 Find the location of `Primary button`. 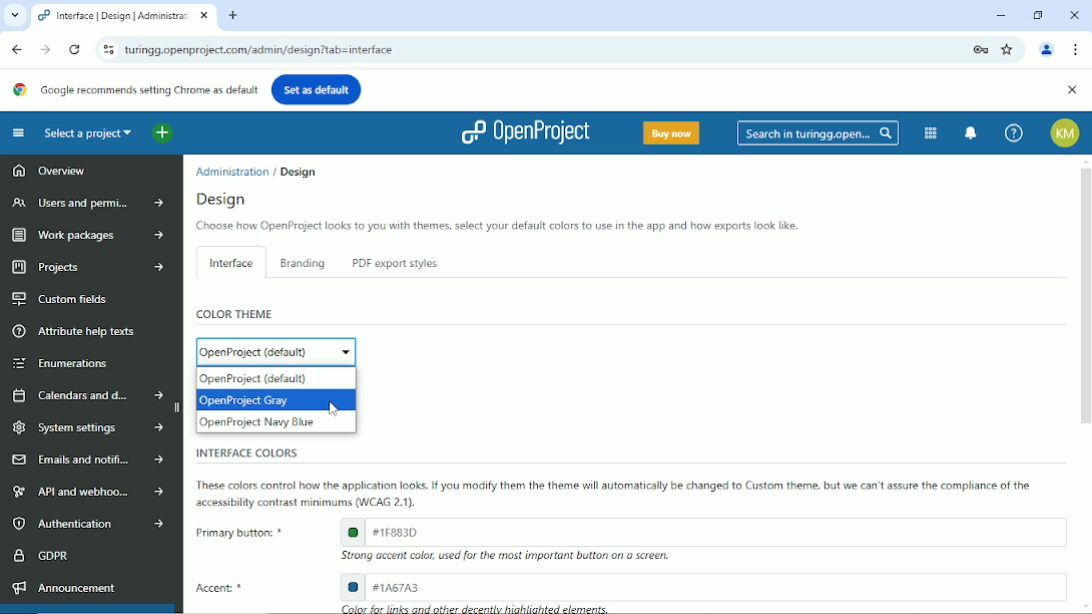

Primary button is located at coordinates (236, 532).